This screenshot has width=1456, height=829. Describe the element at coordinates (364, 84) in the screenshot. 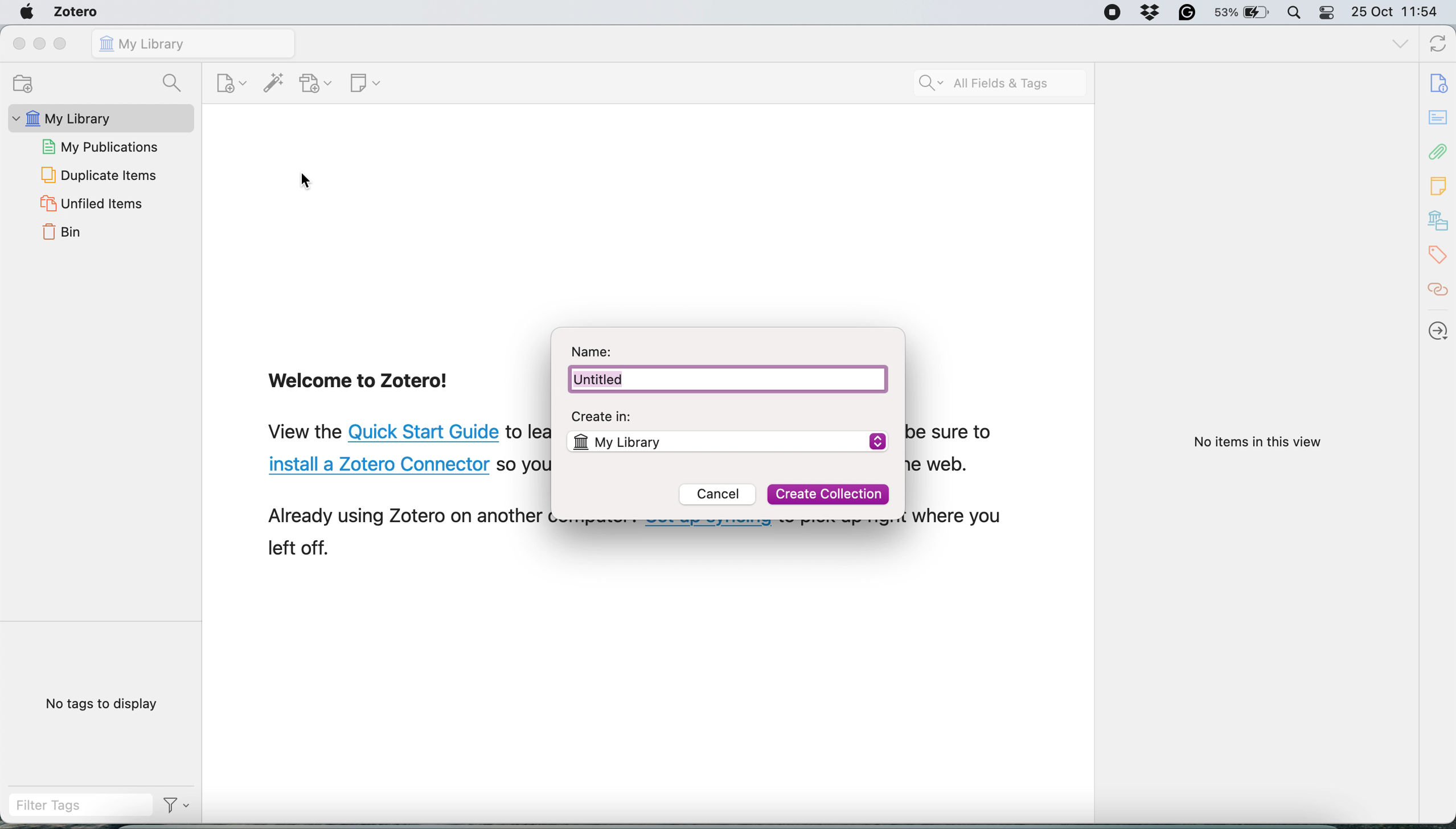

I see `new note` at that location.